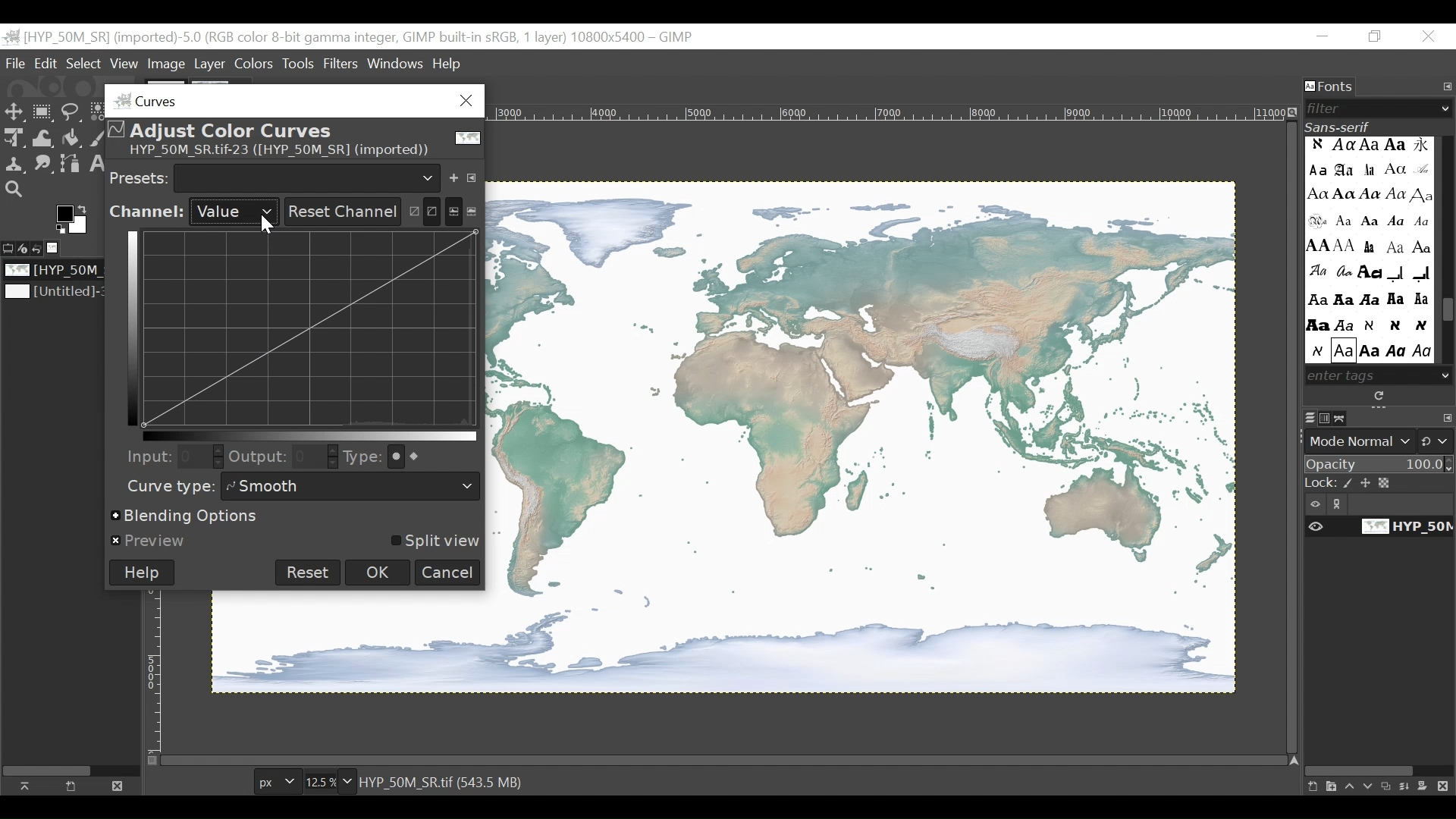 Image resolution: width=1456 pixels, height=819 pixels. I want to click on Colors, so click(256, 63).